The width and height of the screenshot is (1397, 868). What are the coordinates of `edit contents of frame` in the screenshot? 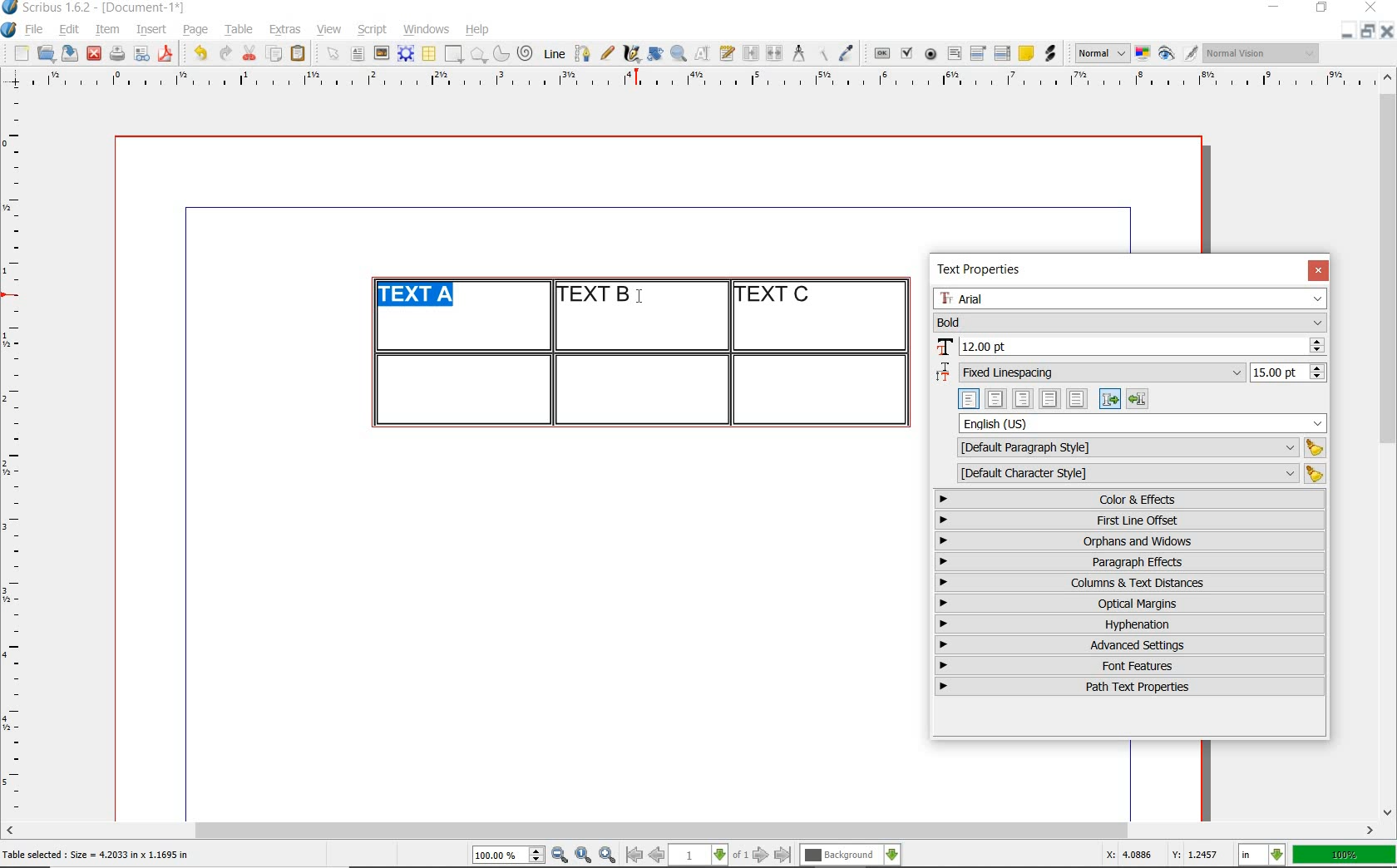 It's located at (703, 52).